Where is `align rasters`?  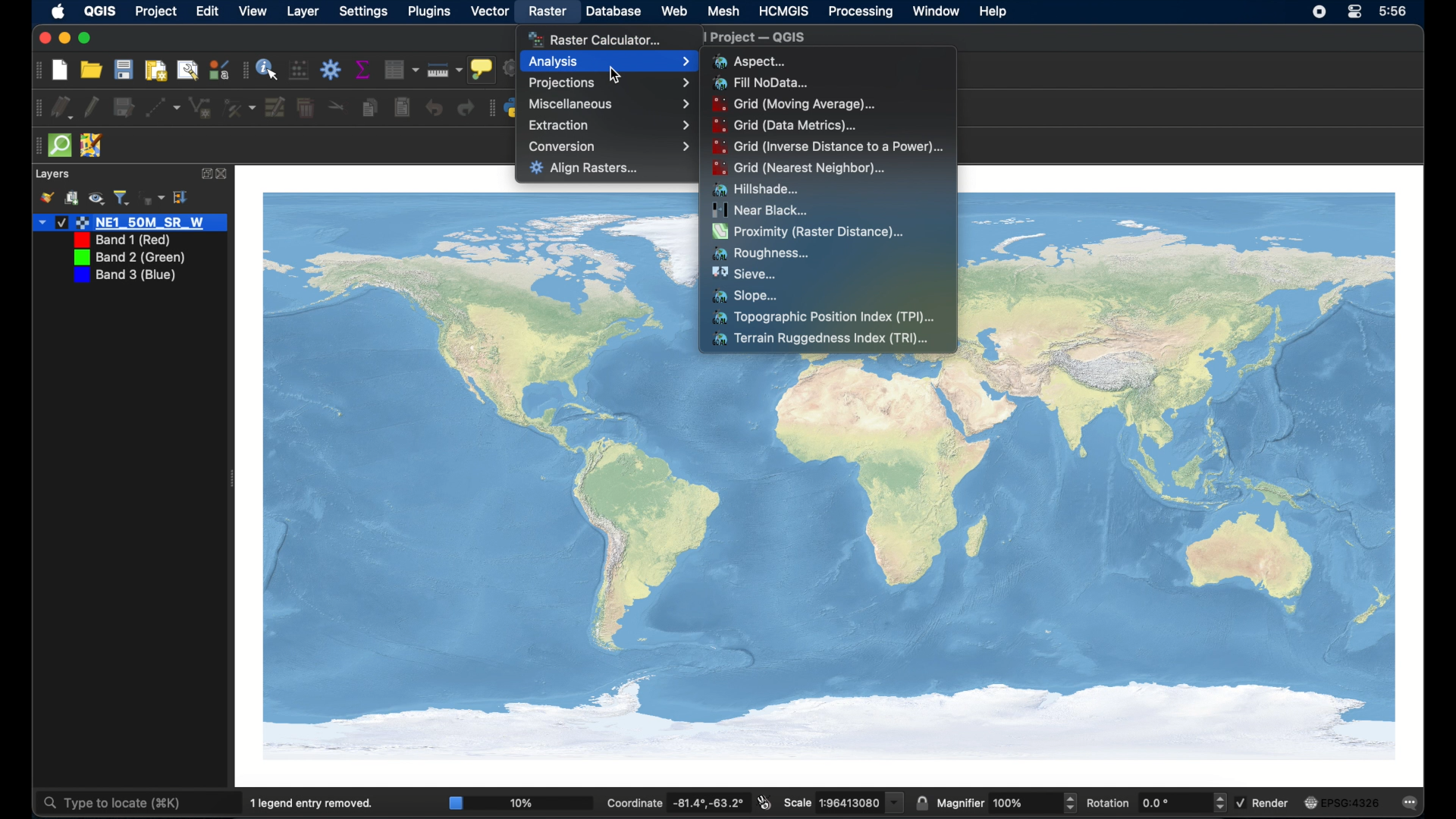
align rasters is located at coordinates (584, 169).